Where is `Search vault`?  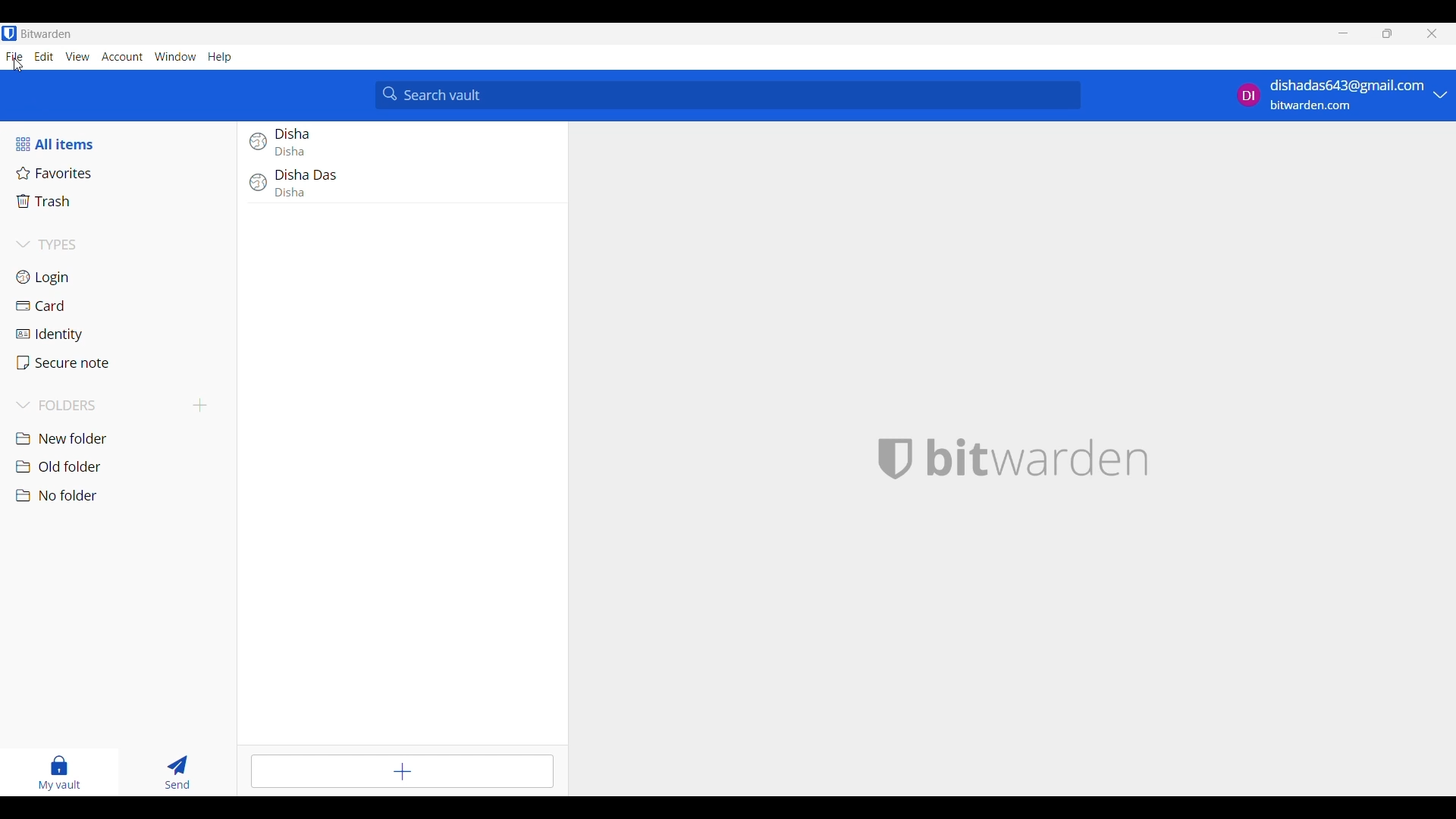
Search vault is located at coordinates (729, 95).